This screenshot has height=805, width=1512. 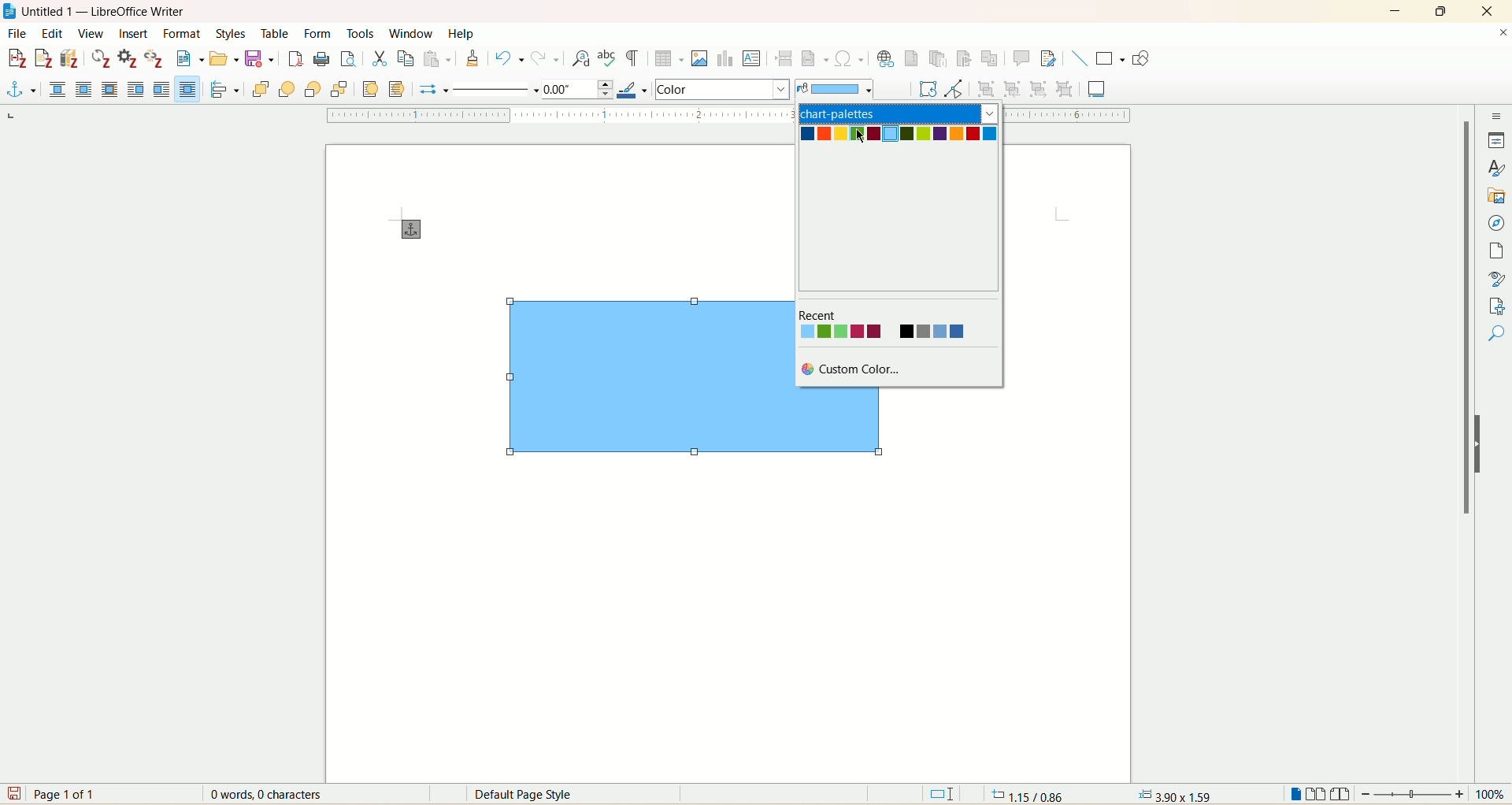 What do you see at coordinates (59, 89) in the screenshot?
I see `none` at bounding box center [59, 89].